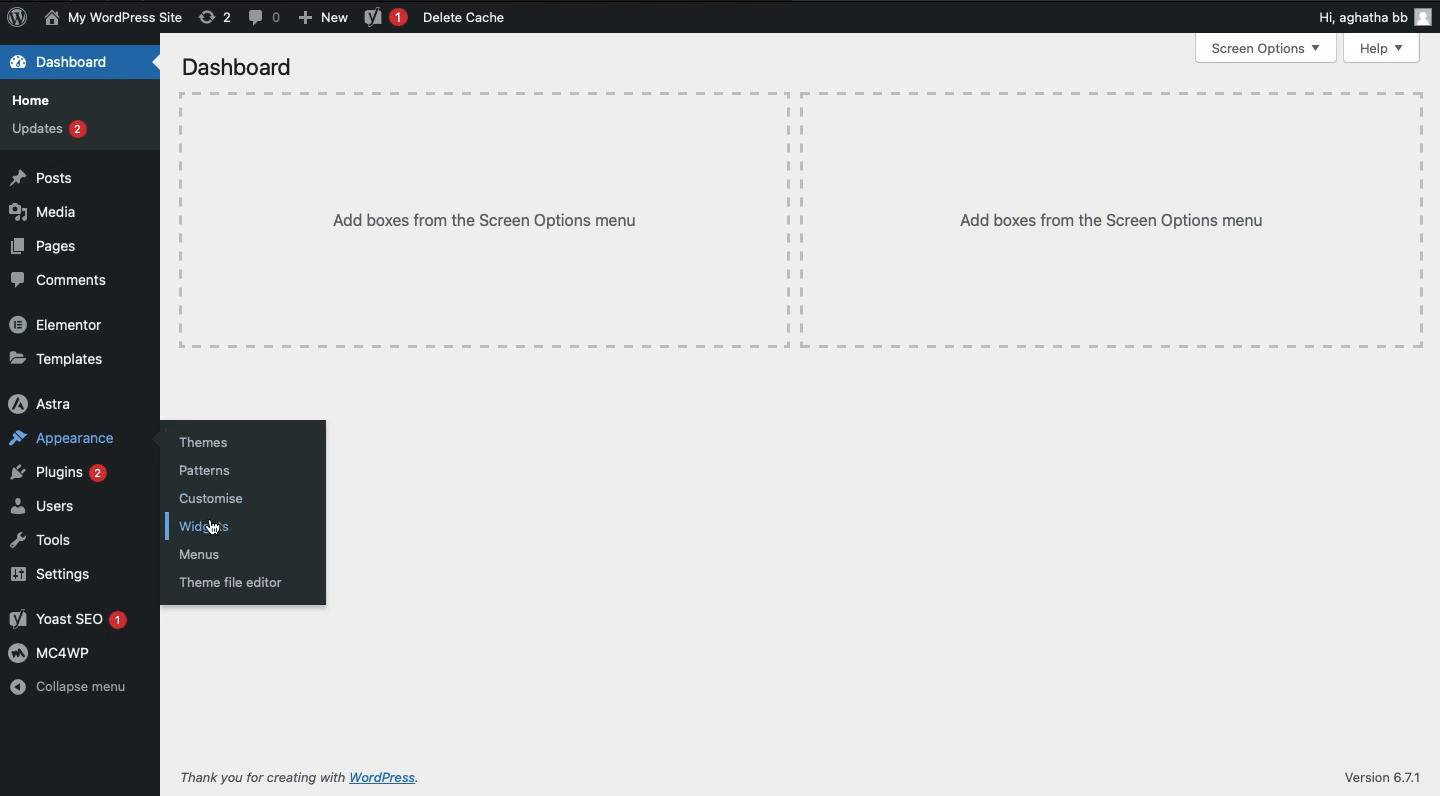 This screenshot has height=796, width=1440. What do you see at coordinates (1269, 49) in the screenshot?
I see `Screen Options ` at bounding box center [1269, 49].